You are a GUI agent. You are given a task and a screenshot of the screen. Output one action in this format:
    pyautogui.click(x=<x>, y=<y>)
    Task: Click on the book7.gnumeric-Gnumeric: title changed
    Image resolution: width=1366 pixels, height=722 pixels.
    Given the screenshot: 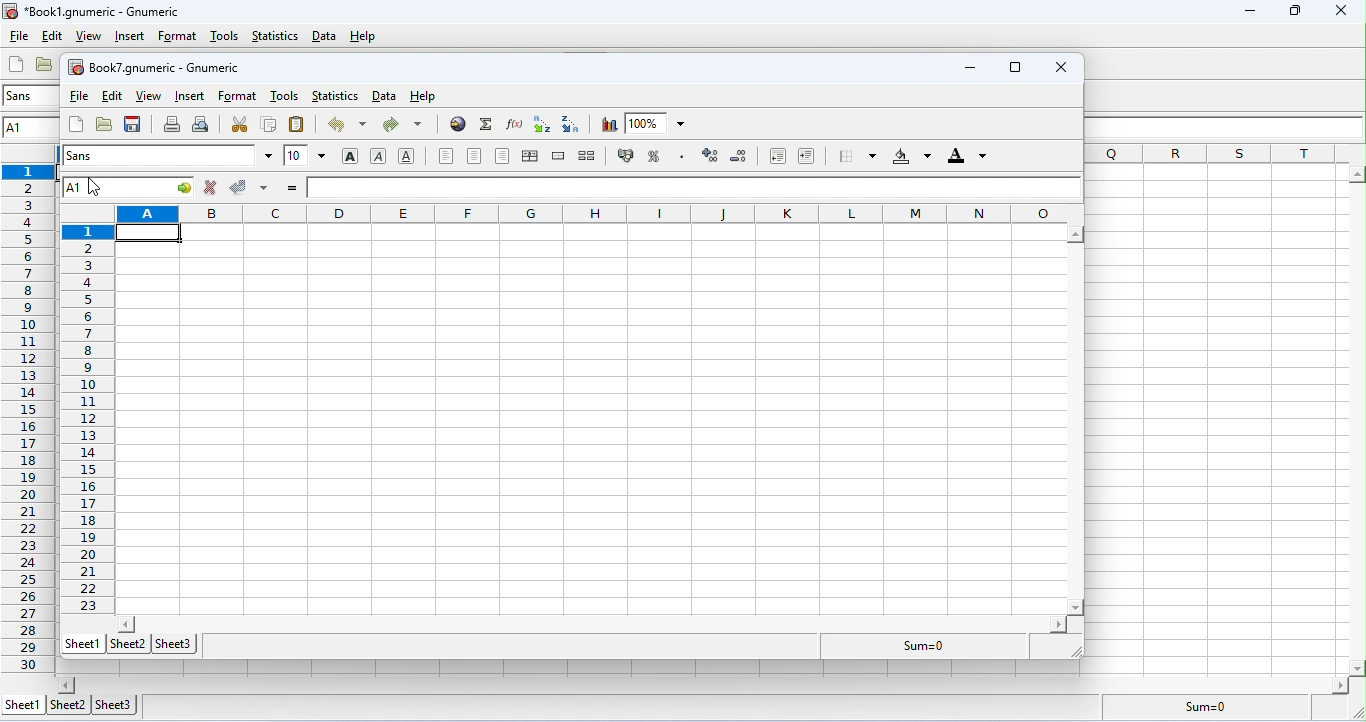 What is the action you would take?
    pyautogui.click(x=151, y=65)
    